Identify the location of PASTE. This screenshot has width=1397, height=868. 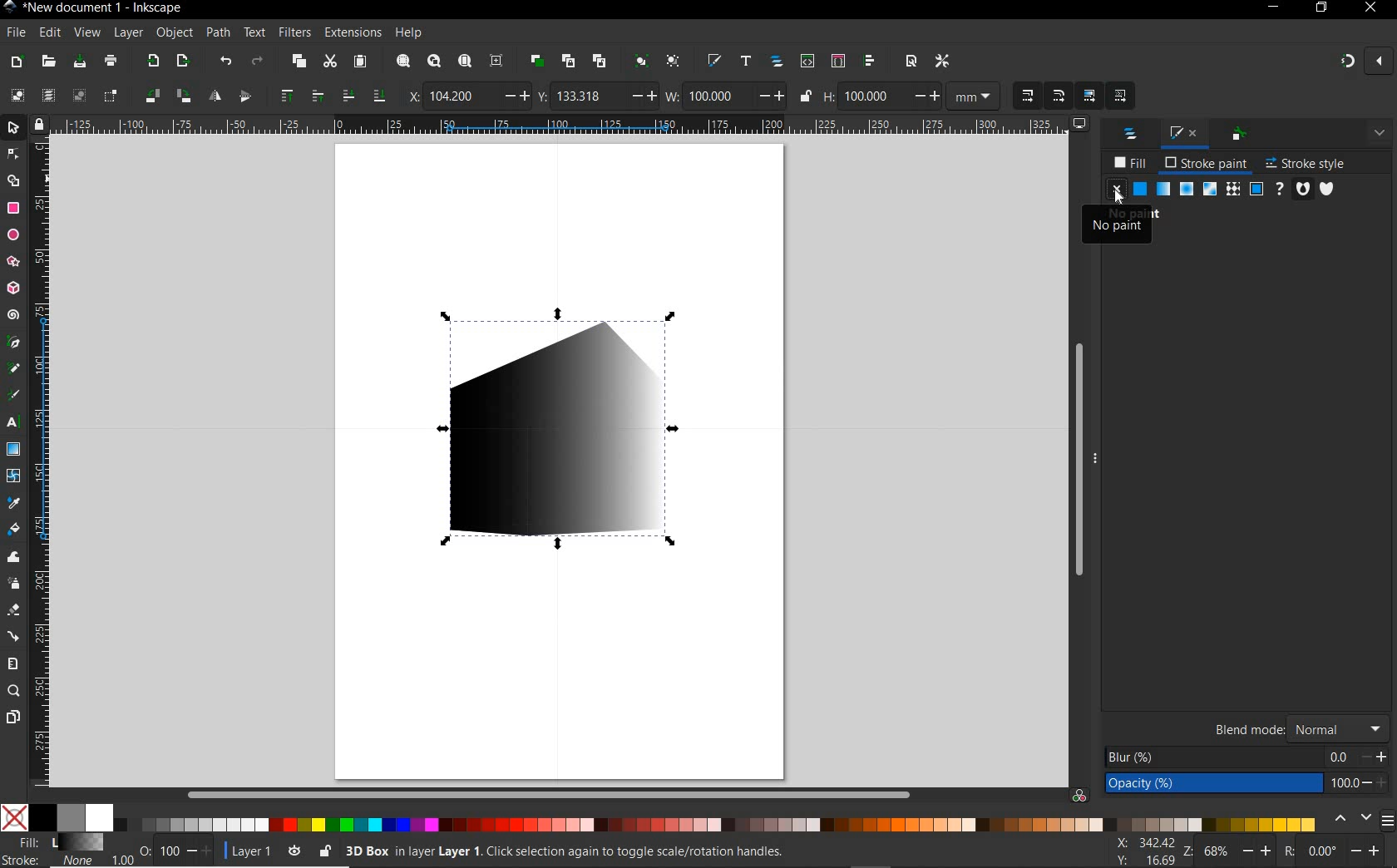
(362, 62).